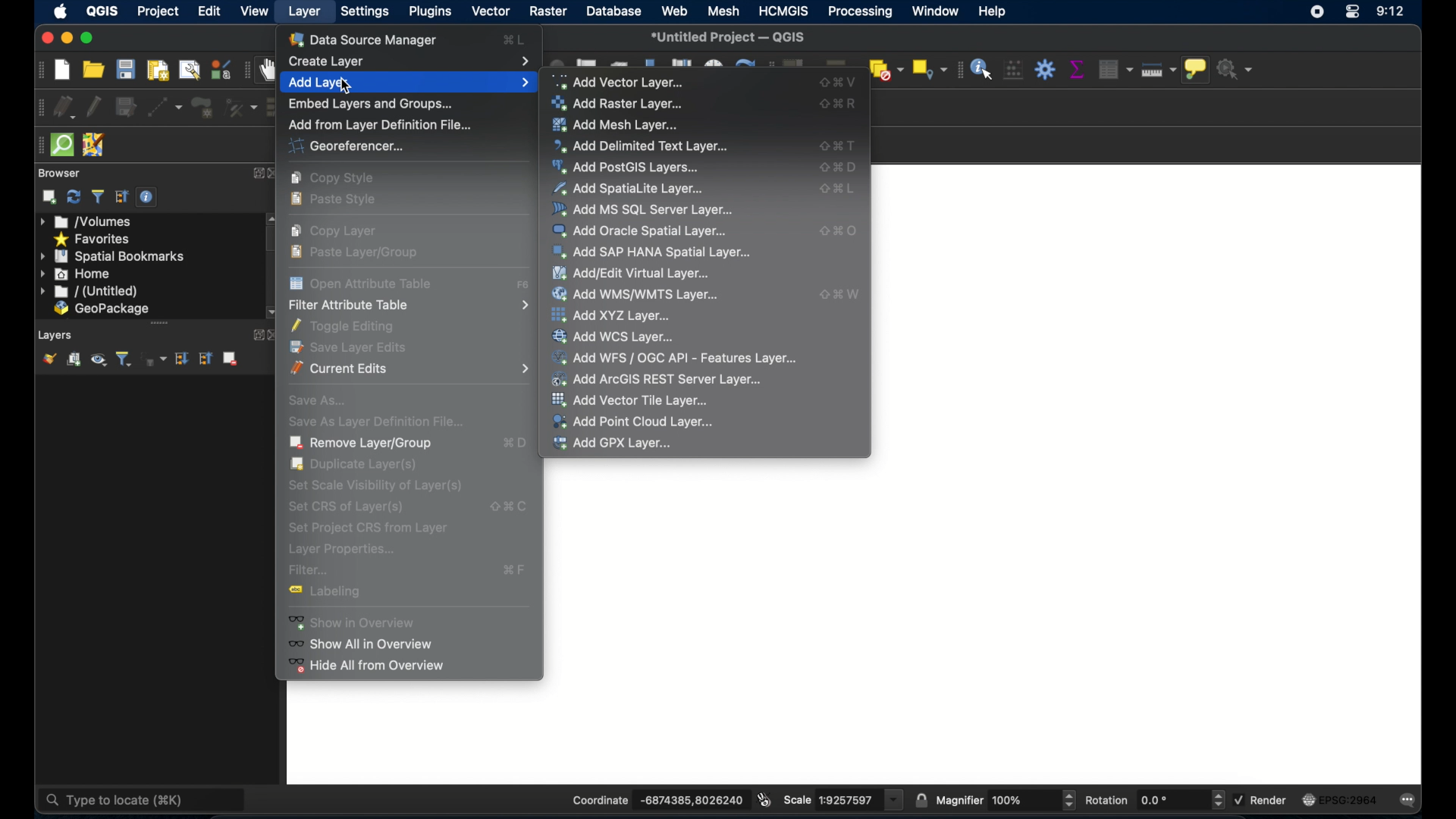 The height and width of the screenshot is (819, 1456). Describe the element at coordinates (340, 231) in the screenshot. I see `Copy layer` at that location.